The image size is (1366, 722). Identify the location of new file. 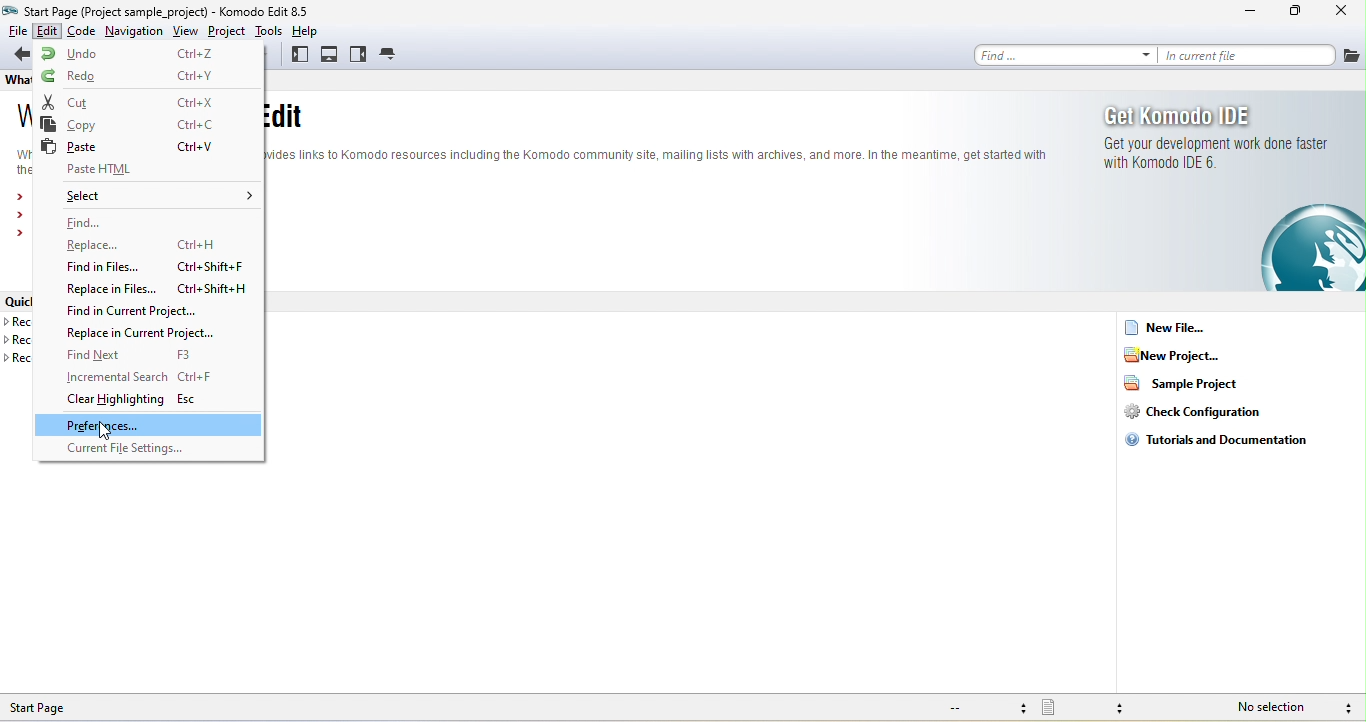
(1178, 326).